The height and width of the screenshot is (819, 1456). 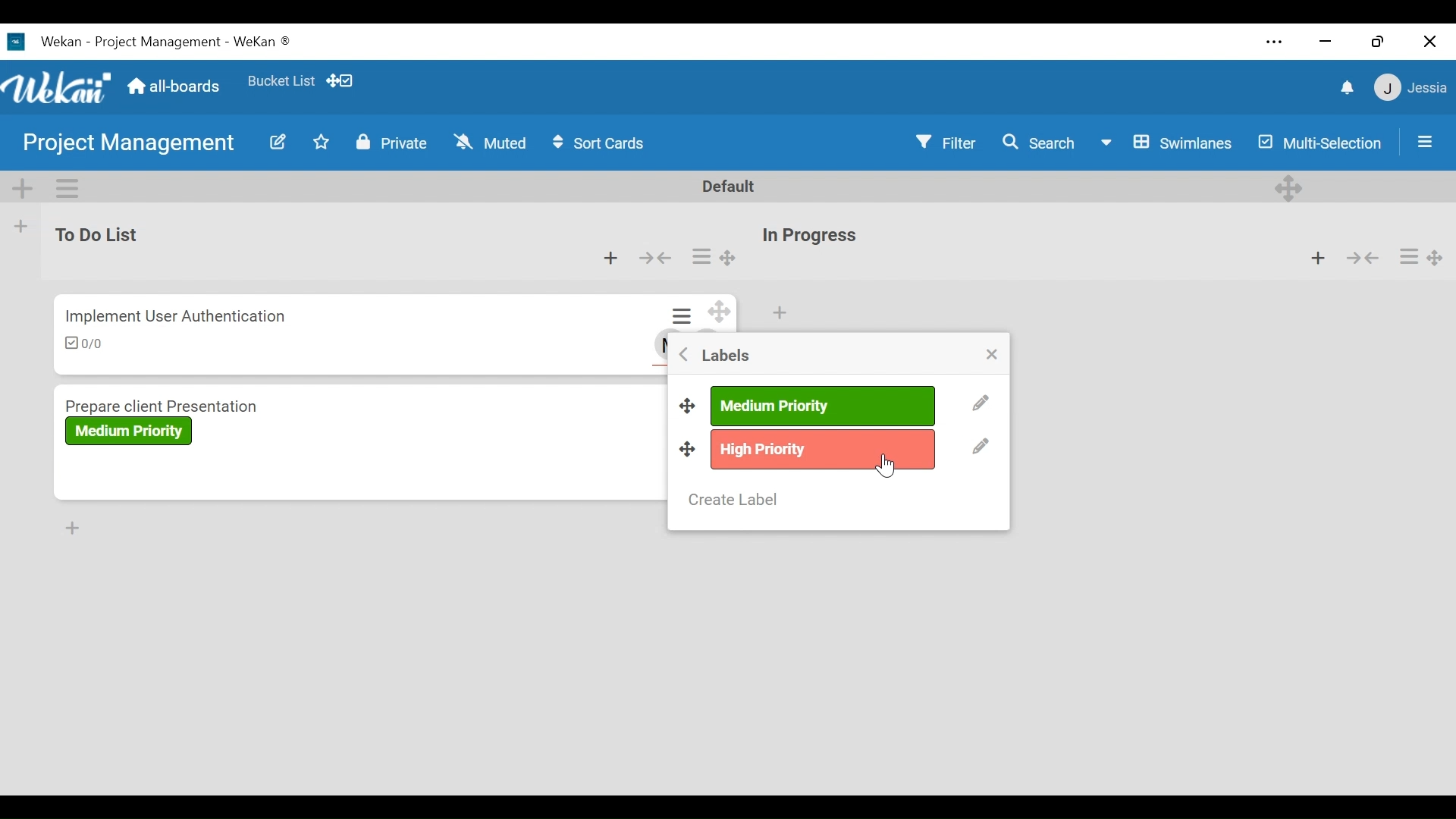 What do you see at coordinates (1379, 41) in the screenshot?
I see `Restore` at bounding box center [1379, 41].